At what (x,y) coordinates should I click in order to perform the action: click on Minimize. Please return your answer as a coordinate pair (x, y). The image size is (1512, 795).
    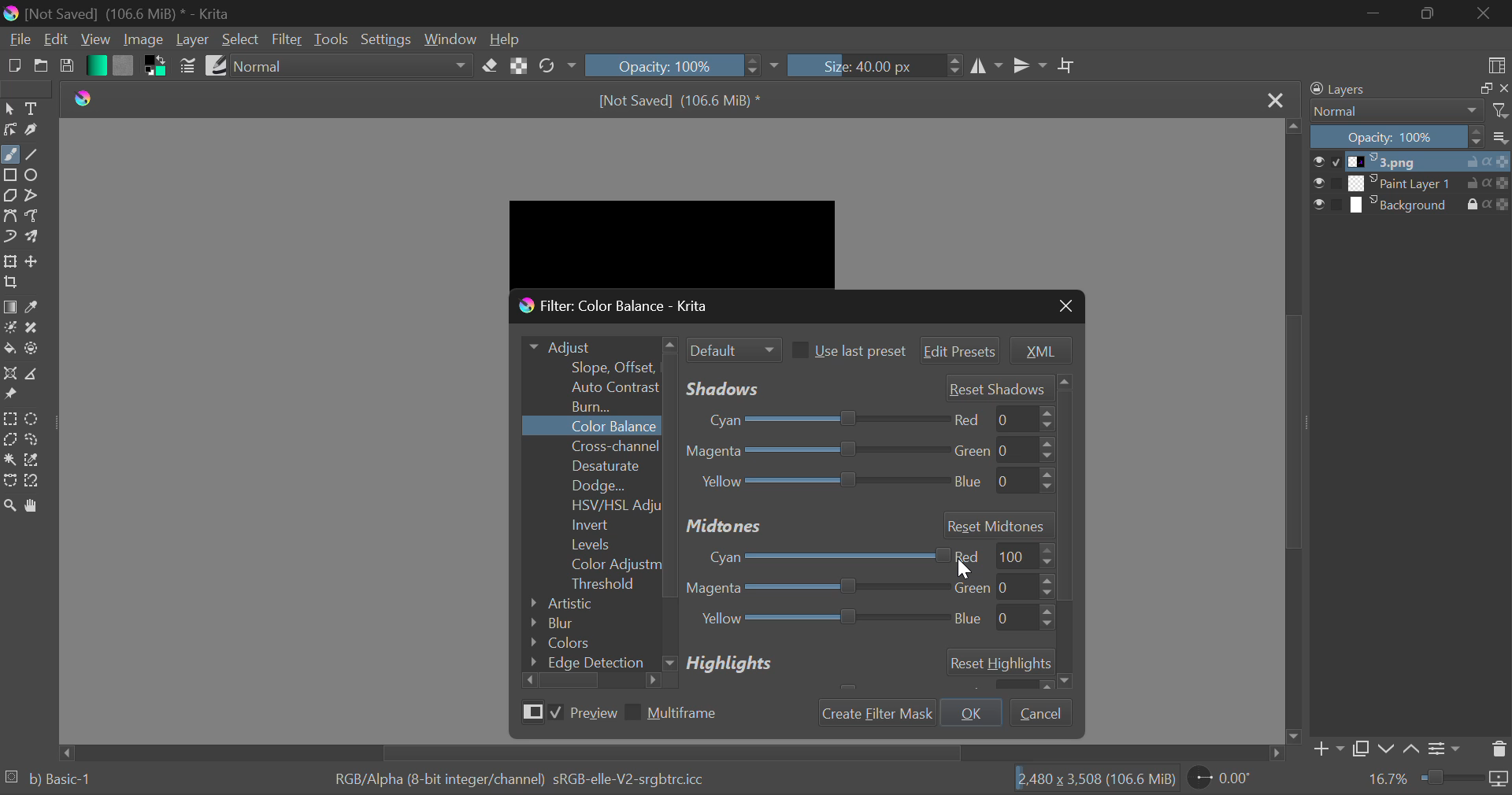
    Looking at the image, I should click on (1426, 13).